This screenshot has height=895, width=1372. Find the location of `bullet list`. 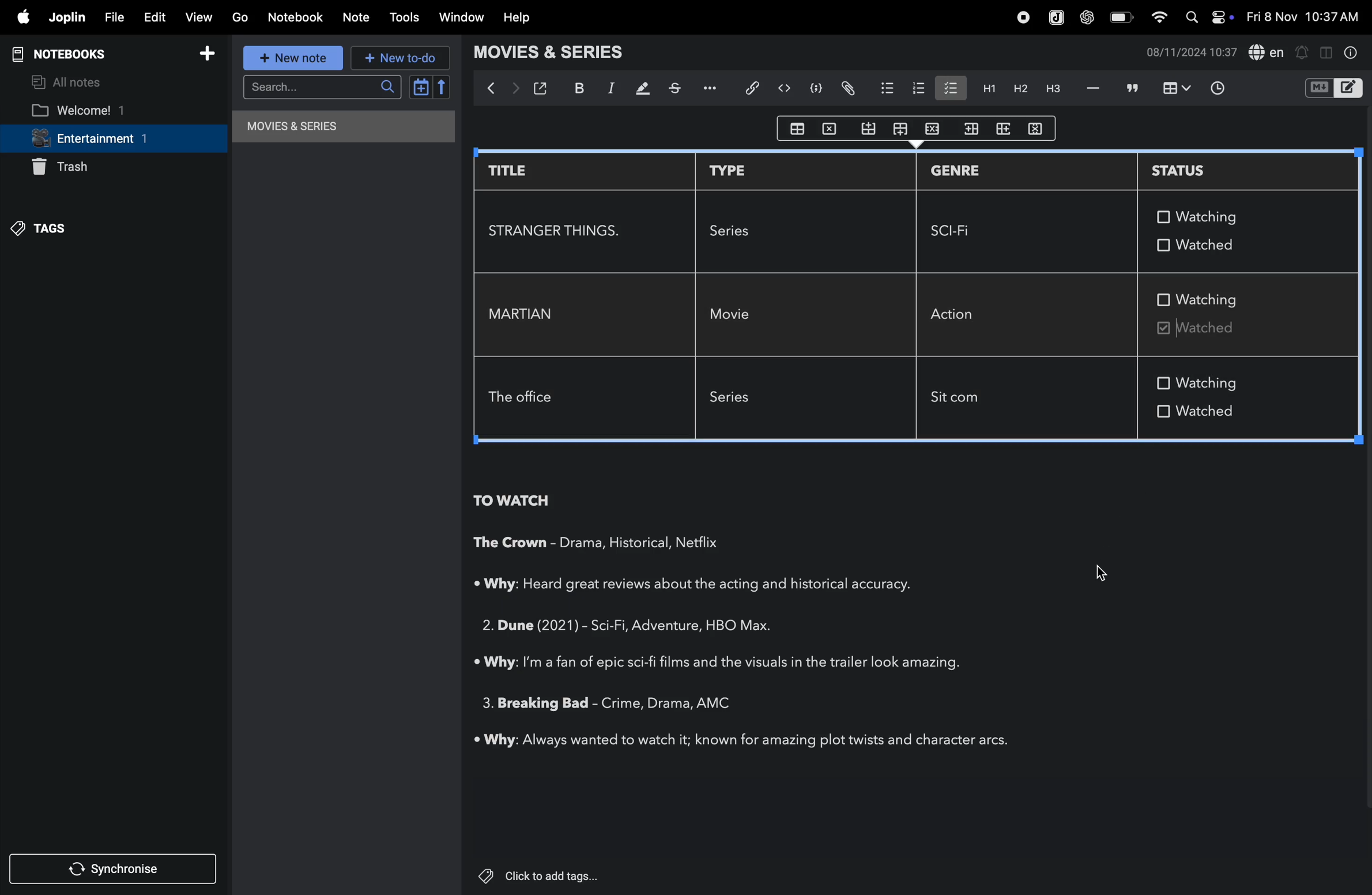

bullet list is located at coordinates (882, 88).